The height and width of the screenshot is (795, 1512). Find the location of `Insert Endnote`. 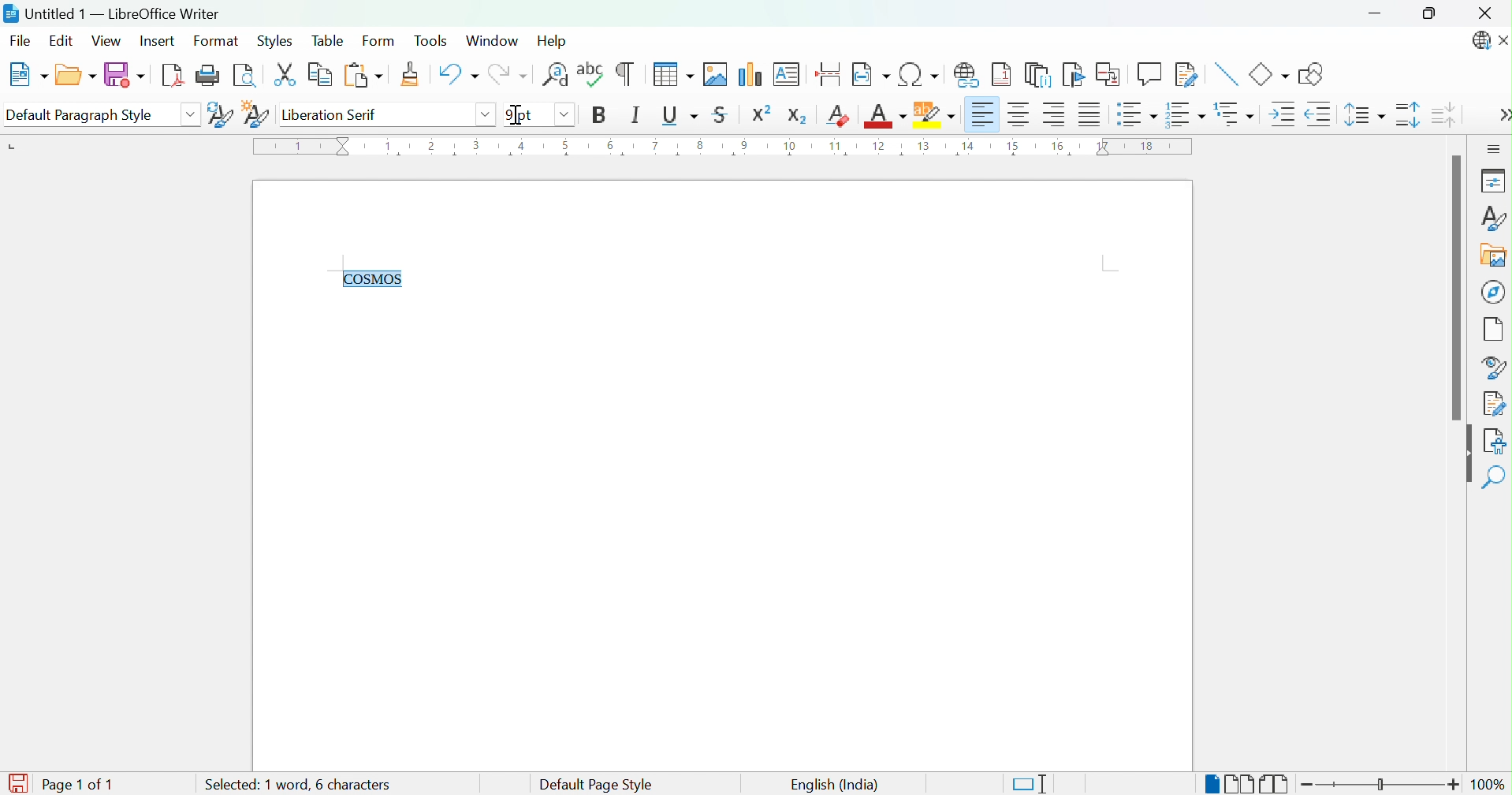

Insert Endnote is located at coordinates (1037, 74).